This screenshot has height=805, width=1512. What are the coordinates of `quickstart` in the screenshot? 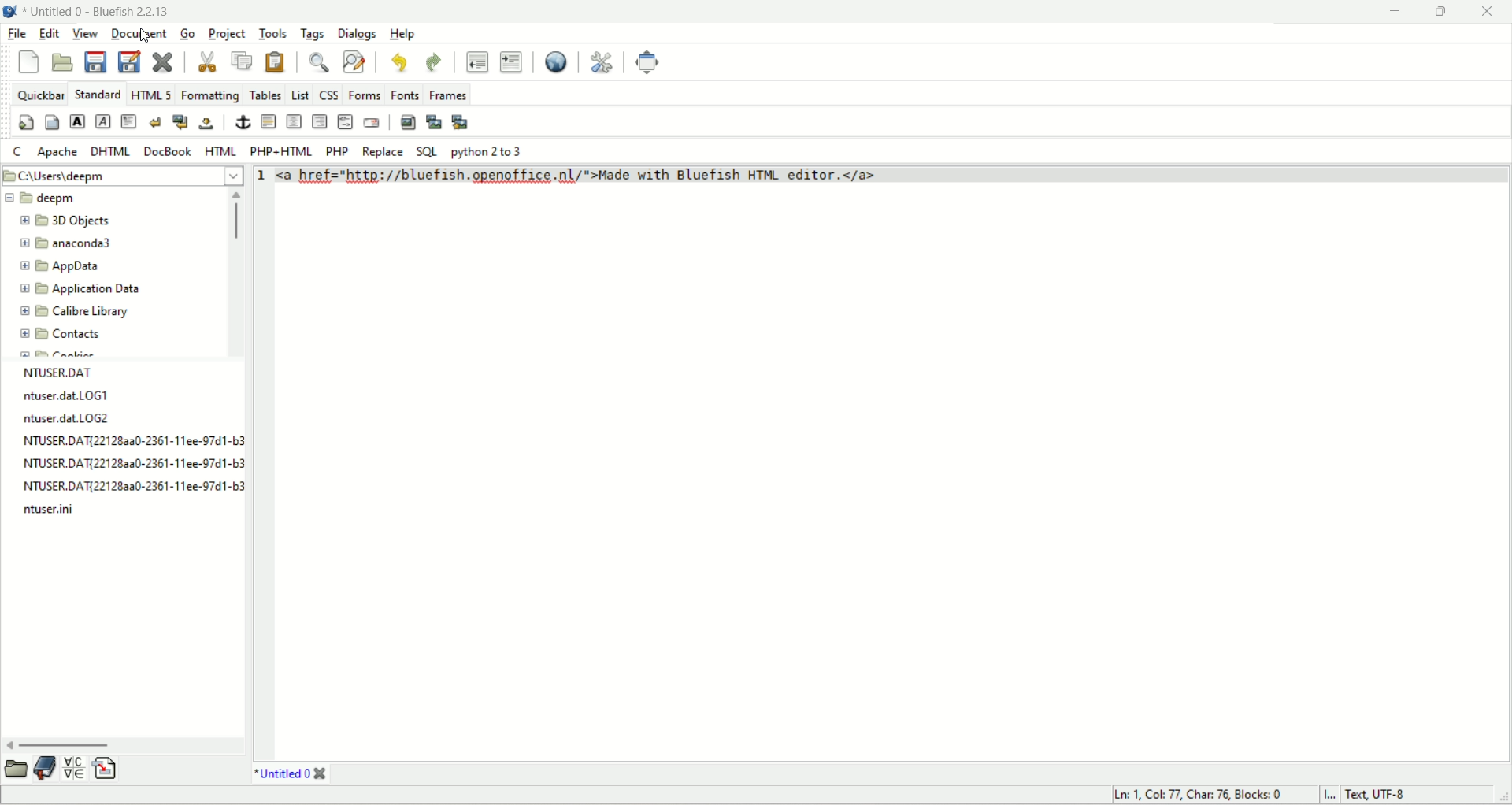 It's located at (25, 123).